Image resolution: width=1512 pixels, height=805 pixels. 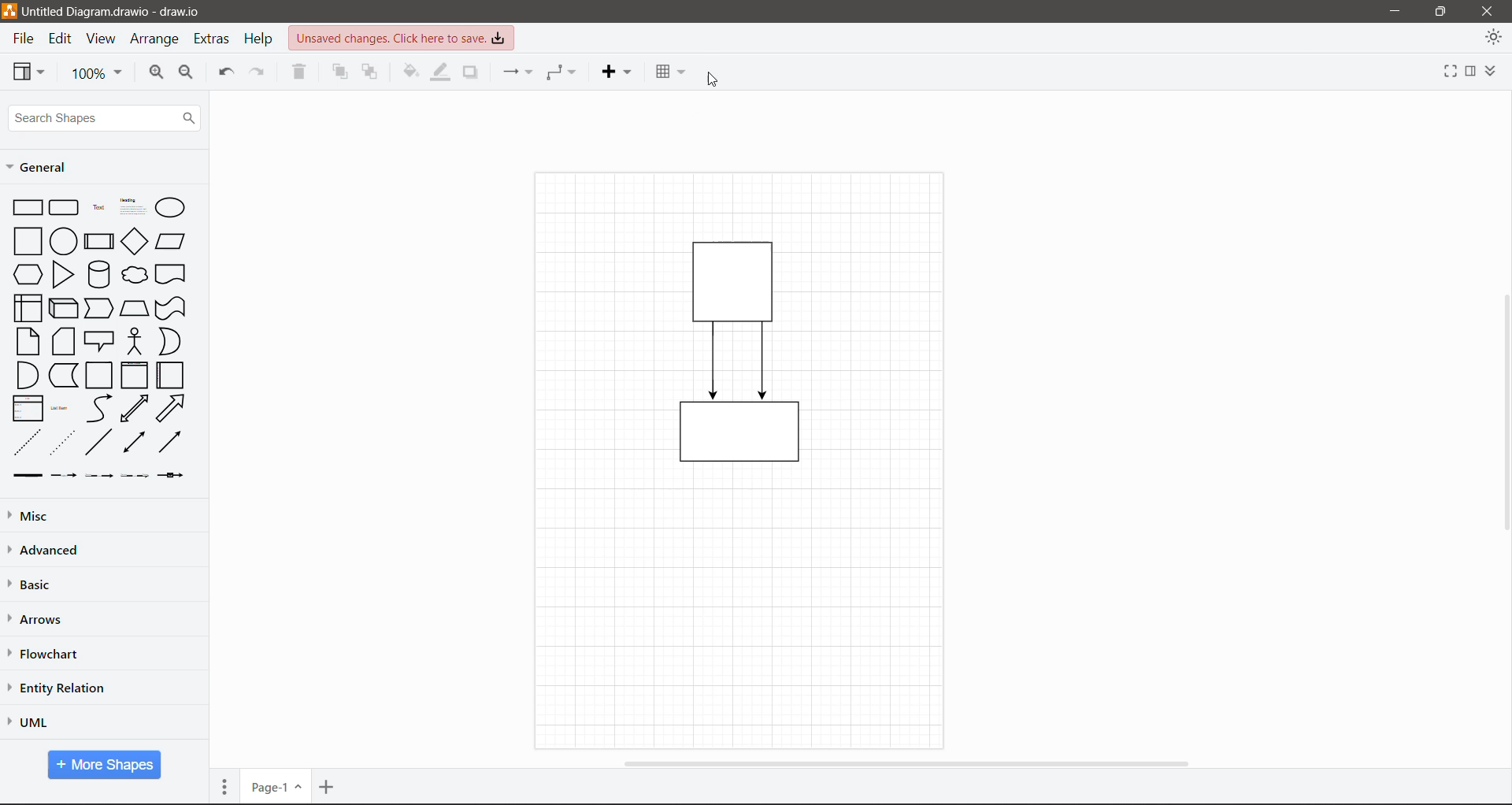 What do you see at coordinates (22, 39) in the screenshot?
I see `File` at bounding box center [22, 39].